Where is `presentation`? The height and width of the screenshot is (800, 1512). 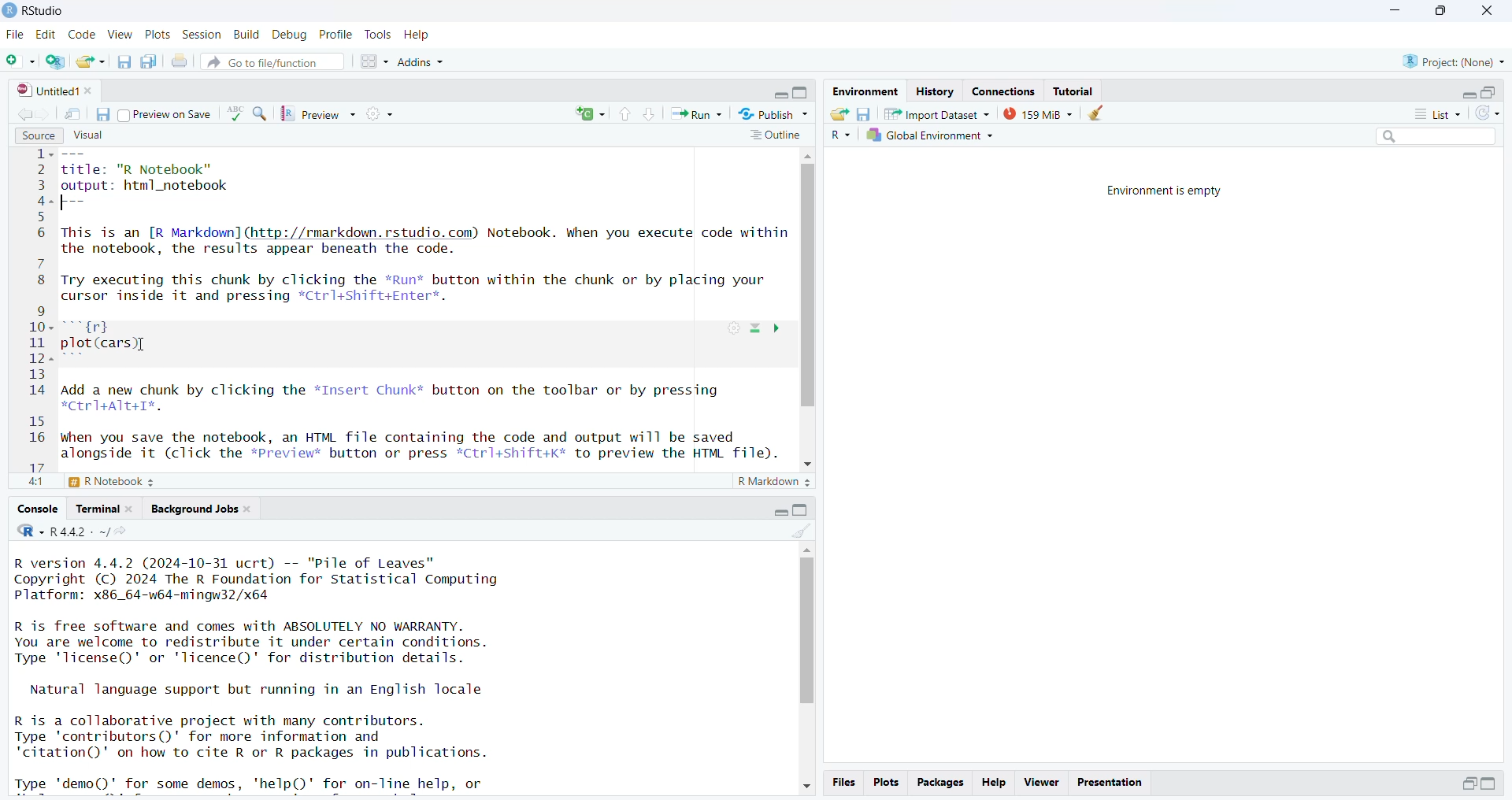
presentation is located at coordinates (1110, 781).